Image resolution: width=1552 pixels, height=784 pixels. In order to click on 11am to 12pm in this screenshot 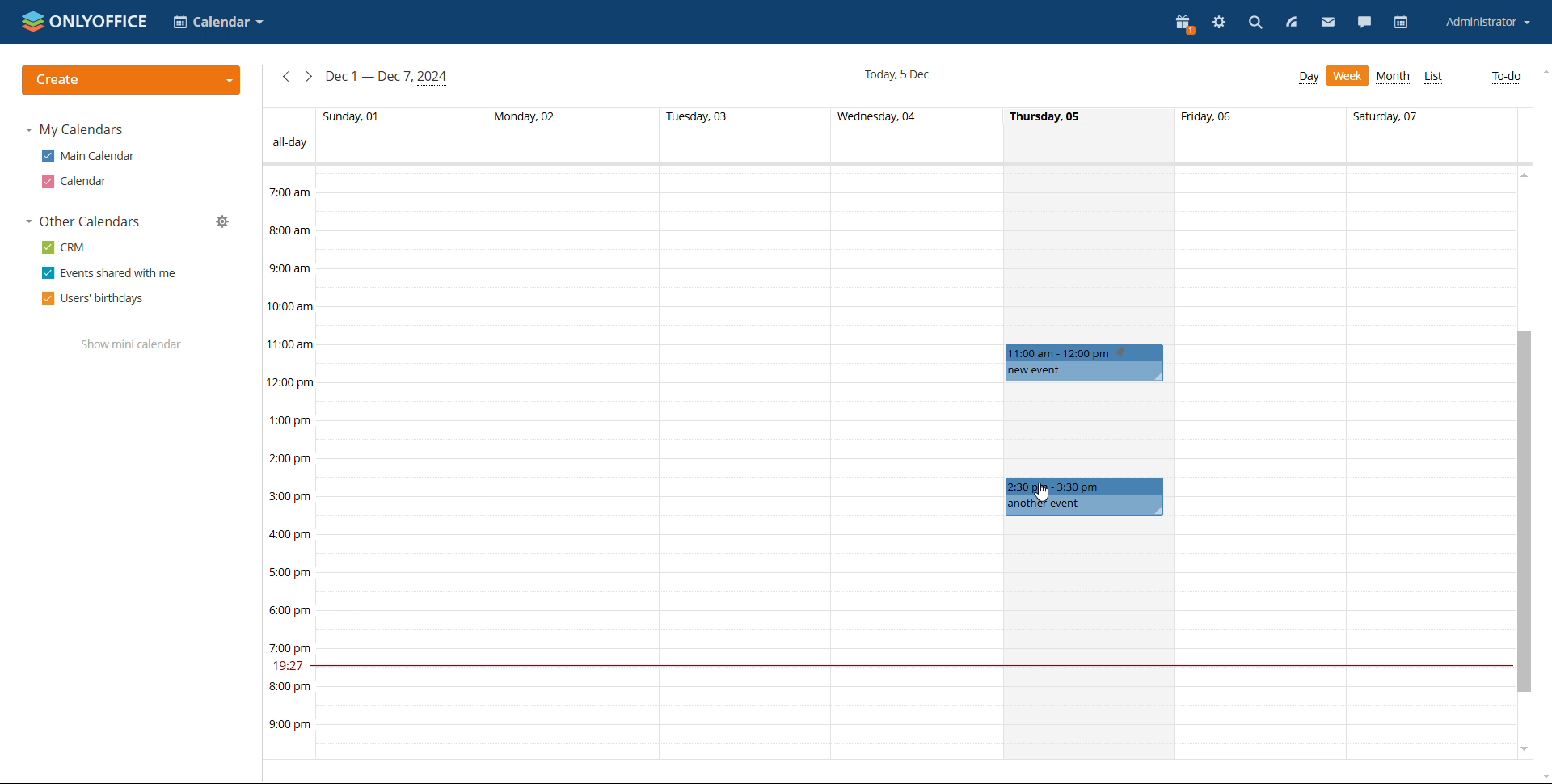, I will do `click(1082, 352)`.